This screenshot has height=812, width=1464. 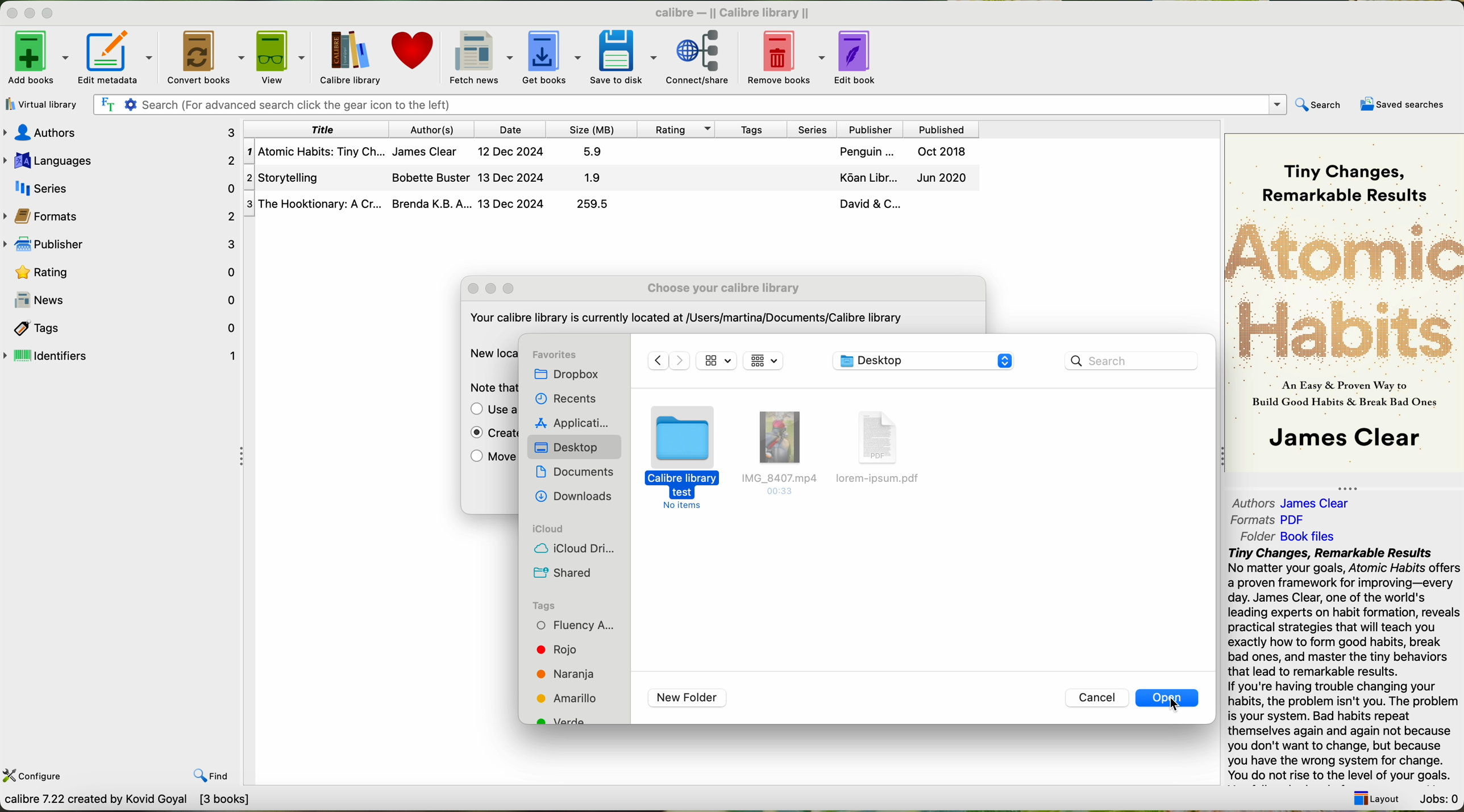 What do you see at coordinates (548, 529) in the screenshot?
I see `icloud` at bounding box center [548, 529].